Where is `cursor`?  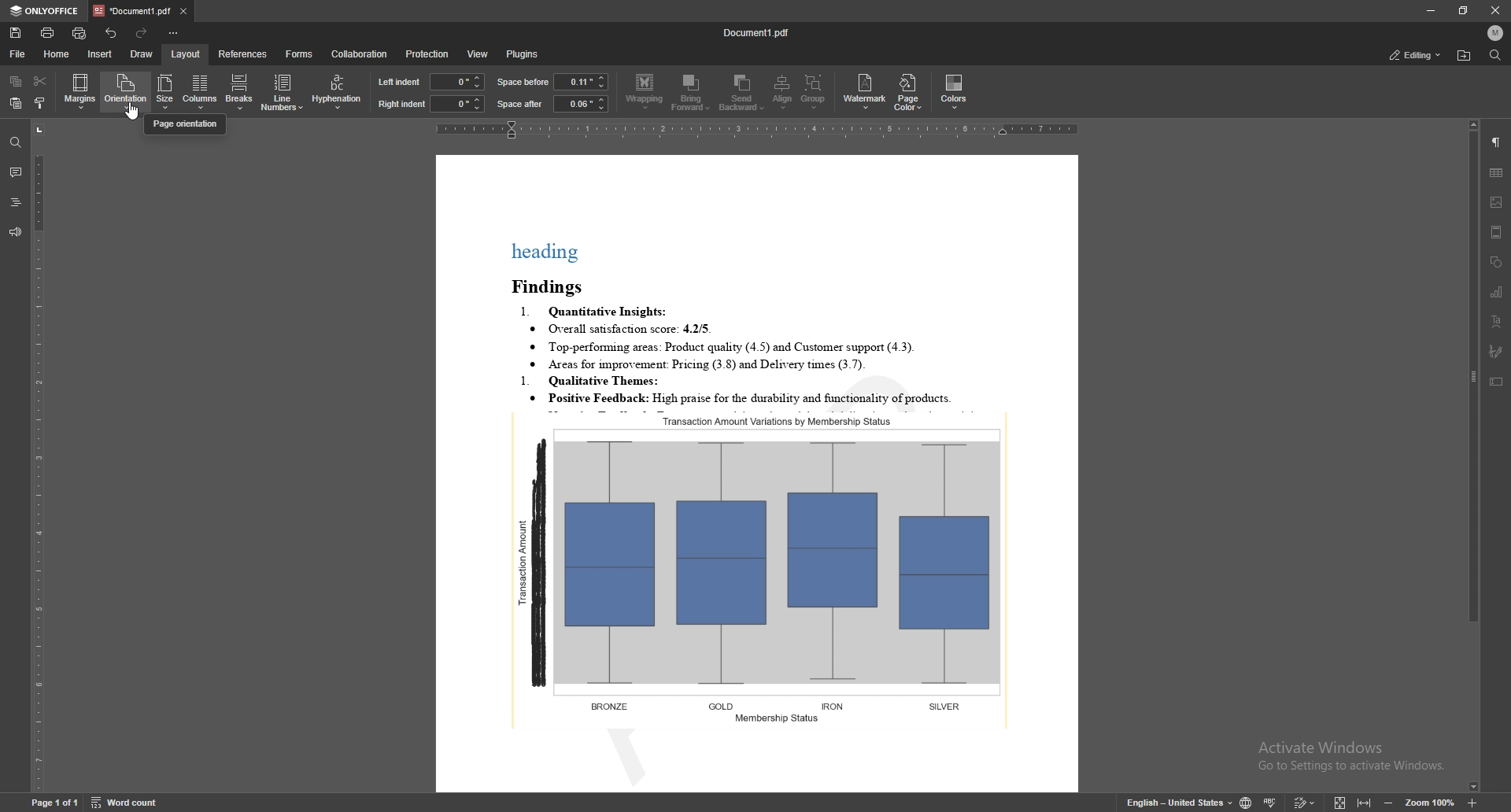
cursor is located at coordinates (140, 113).